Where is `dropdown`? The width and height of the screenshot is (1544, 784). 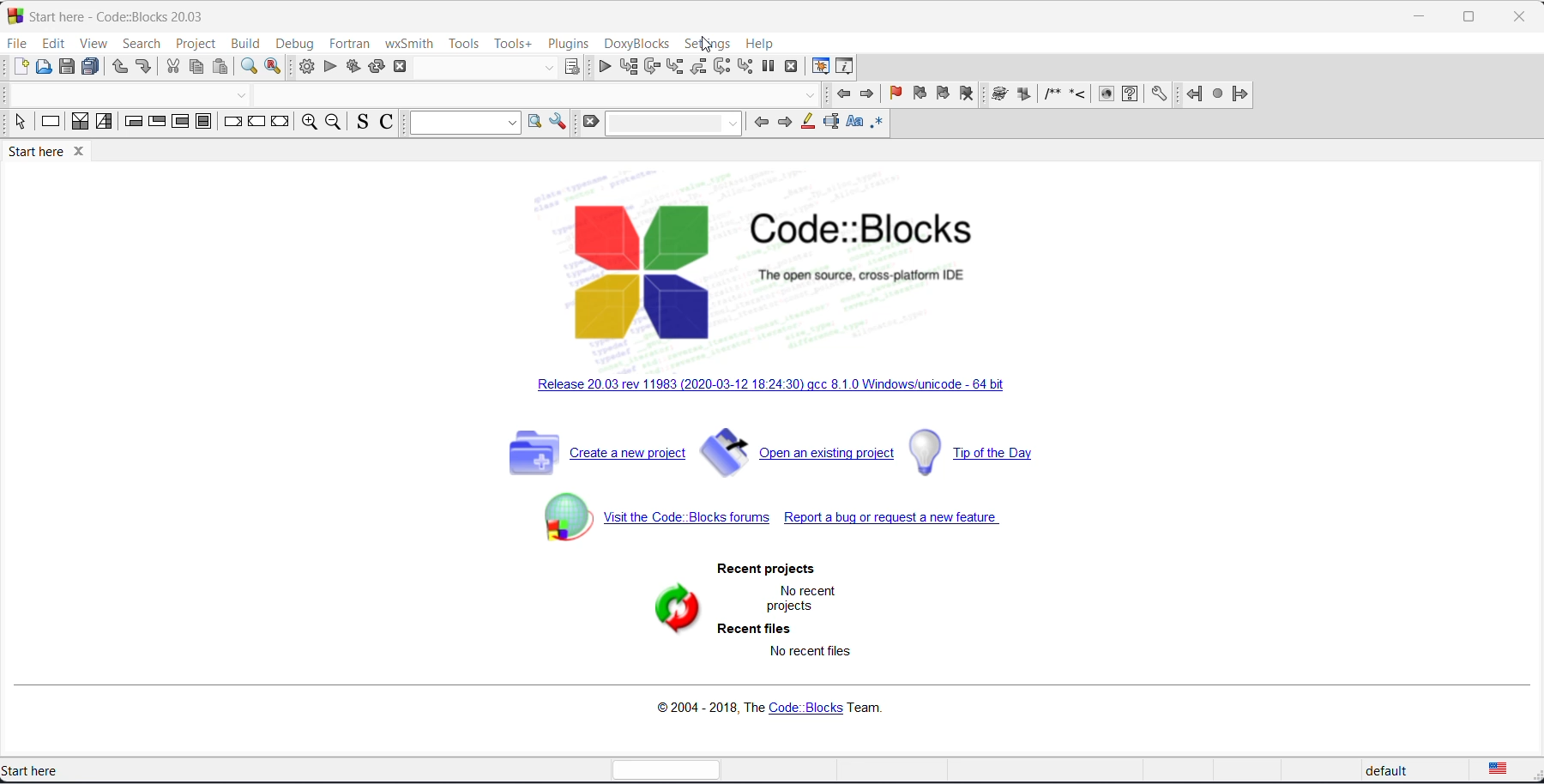
dropdown is located at coordinates (464, 124).